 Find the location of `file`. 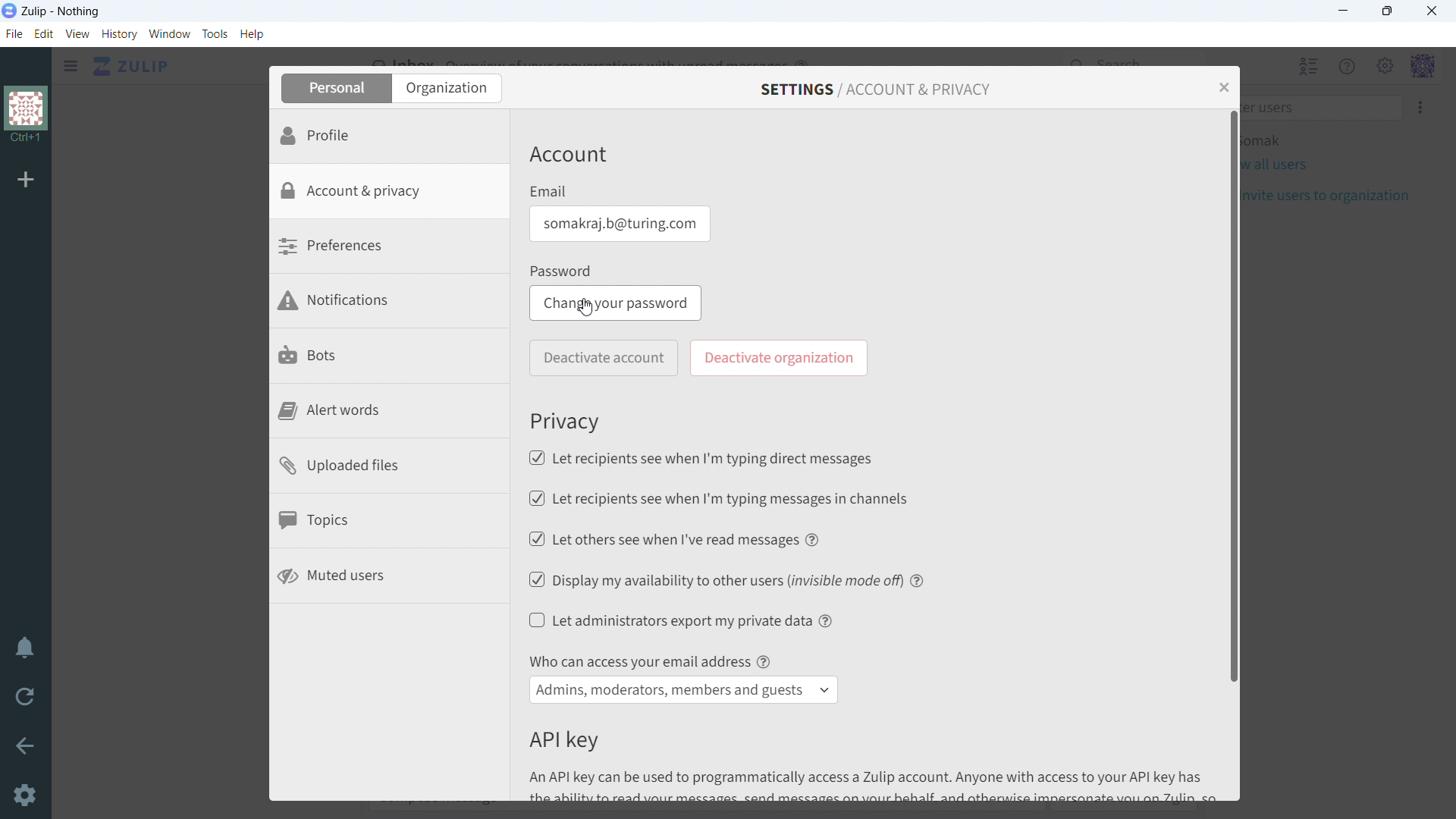

file is located at coordinates (14, 33).